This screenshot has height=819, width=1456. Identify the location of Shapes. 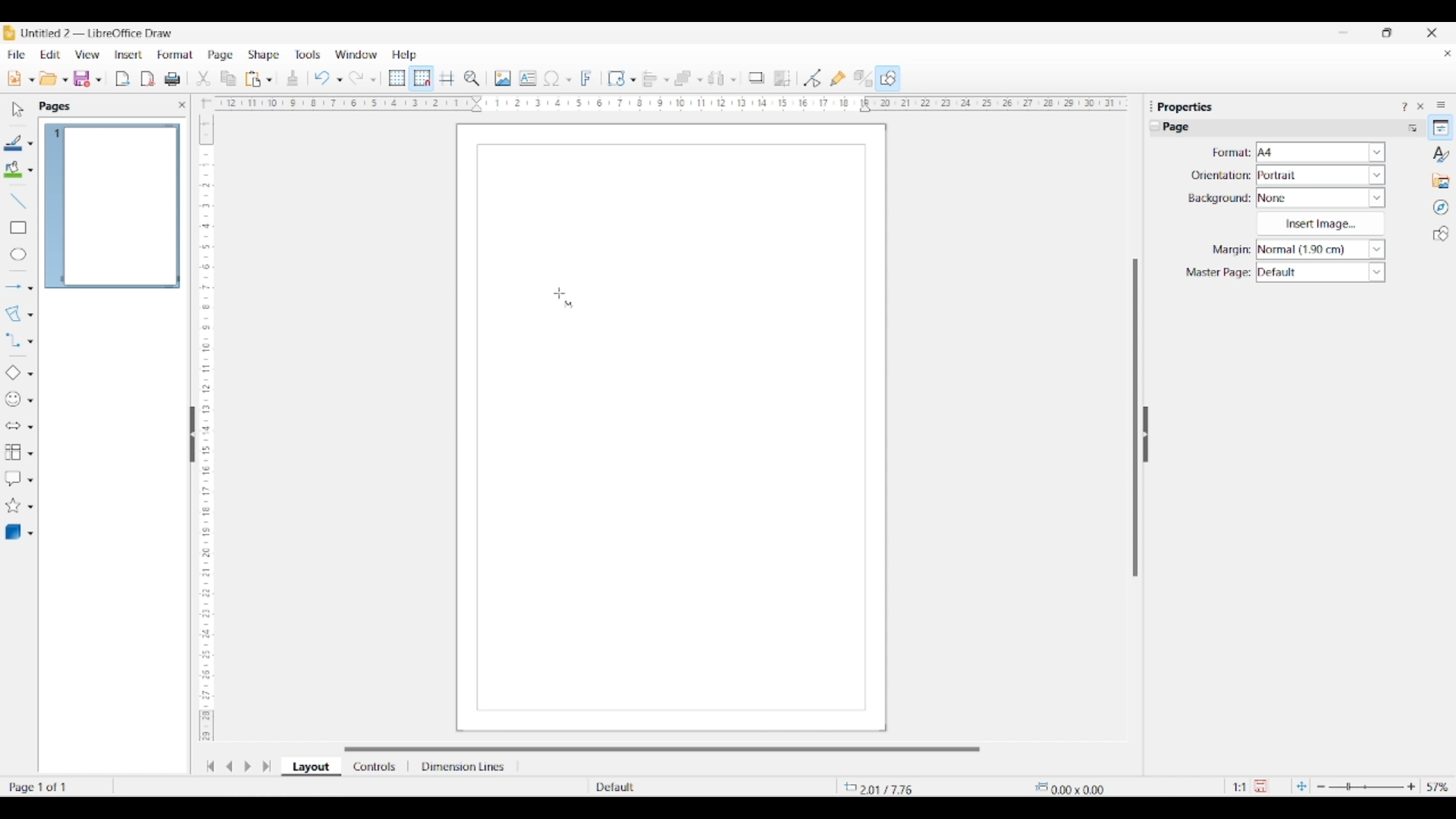
(1441, 234).